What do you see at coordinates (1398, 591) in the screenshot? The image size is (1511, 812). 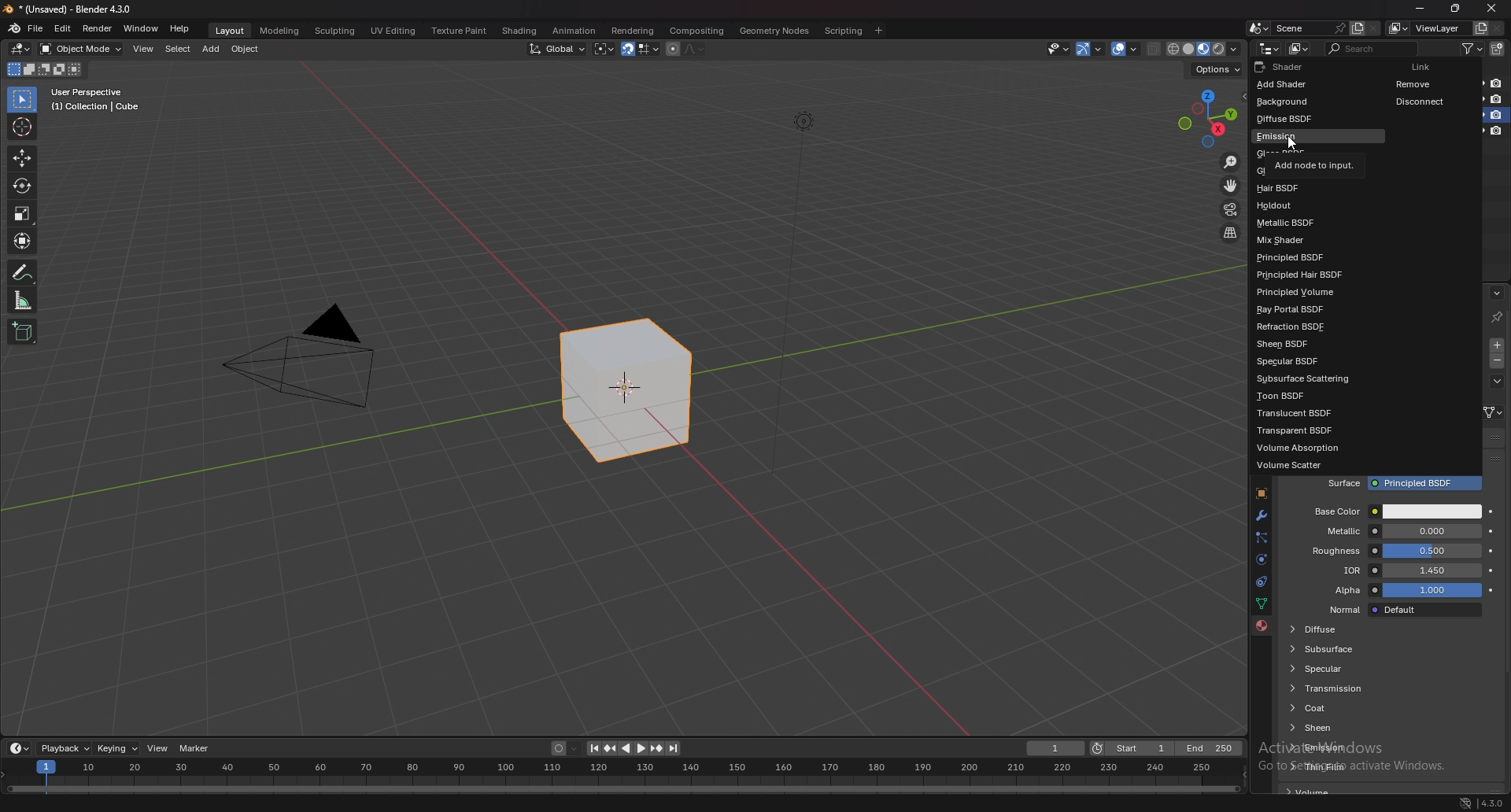 I see `alpha` at bounding box center [1398, 591].